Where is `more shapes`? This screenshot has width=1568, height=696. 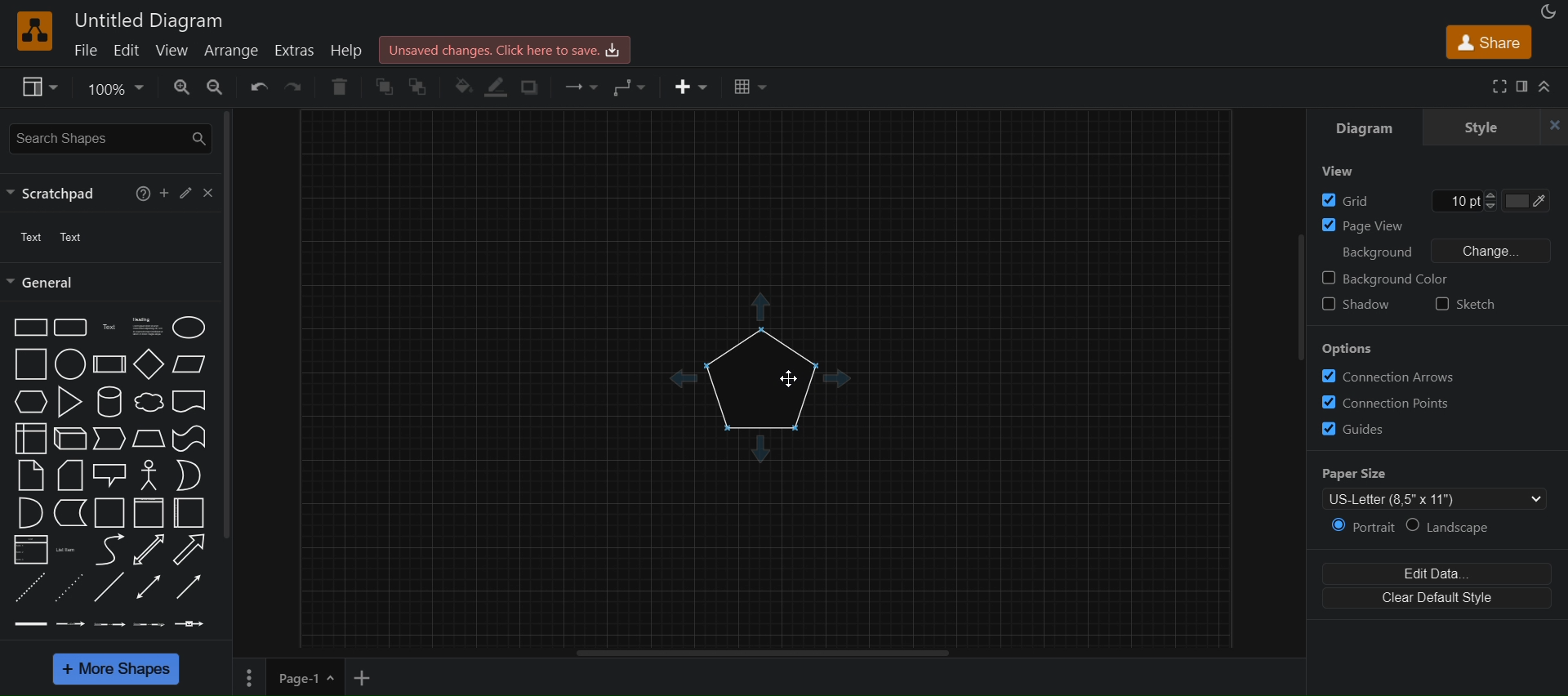
more shapes is located at coordinates (116, 669).